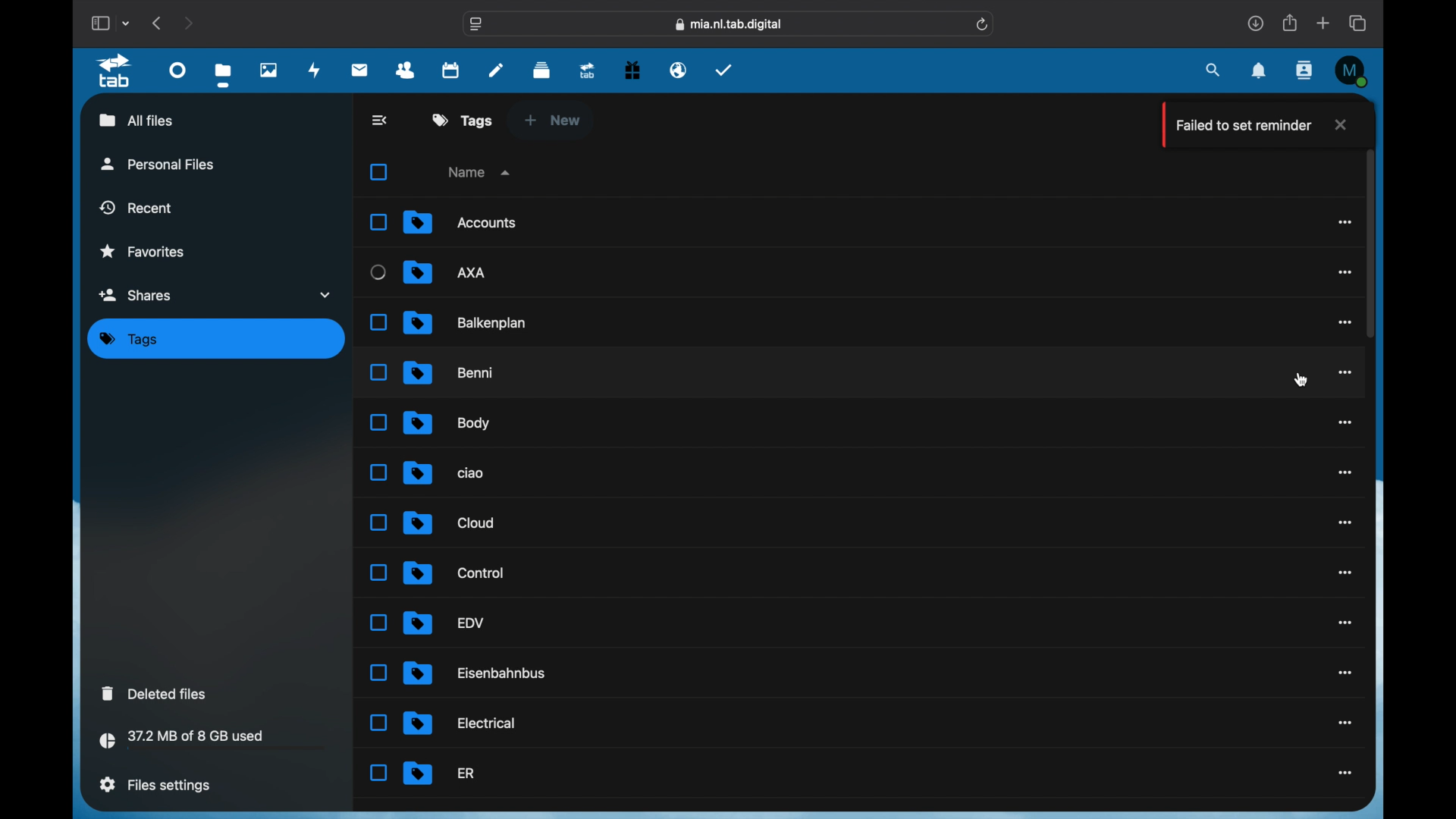  What do you see at coordinates (378, 273) in the screenshot?
I see `Unselected Checkbox` at bounding box center [378, 273].